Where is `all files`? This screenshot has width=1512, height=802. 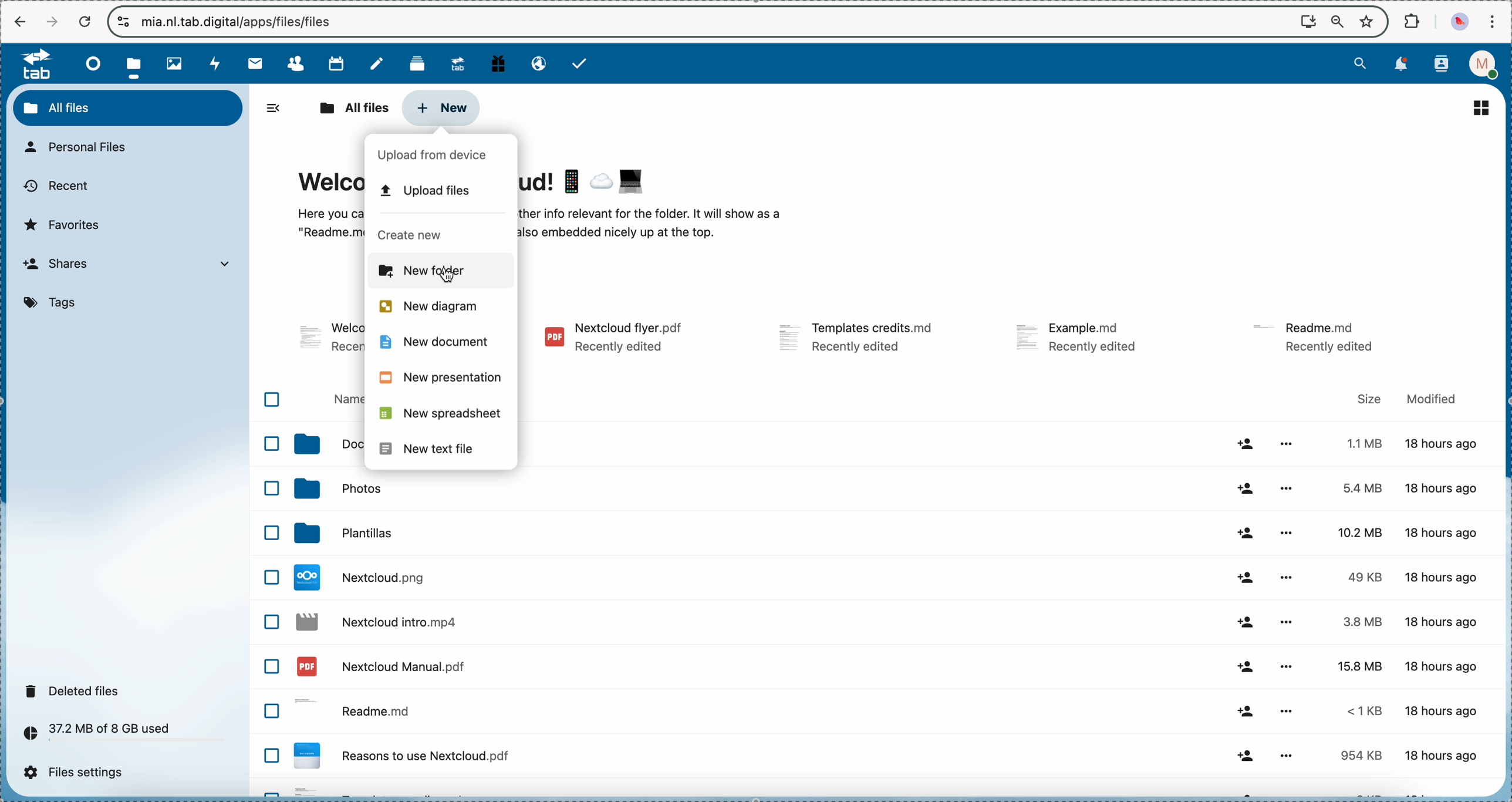
all files is located at coordinates (128, 107).